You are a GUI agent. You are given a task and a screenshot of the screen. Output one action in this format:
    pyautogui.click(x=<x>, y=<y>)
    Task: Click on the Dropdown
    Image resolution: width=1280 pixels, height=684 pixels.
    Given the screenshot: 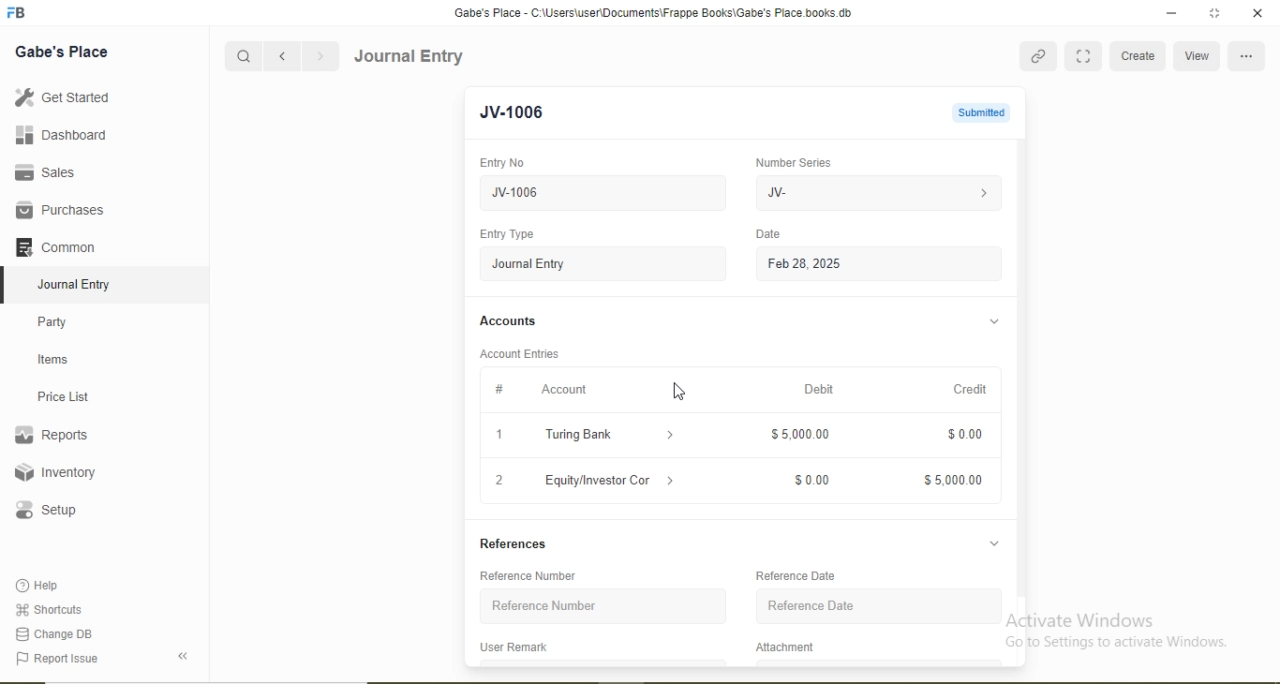 What is the action you would take?
    pyautogui.click(x=672, y=479)
    